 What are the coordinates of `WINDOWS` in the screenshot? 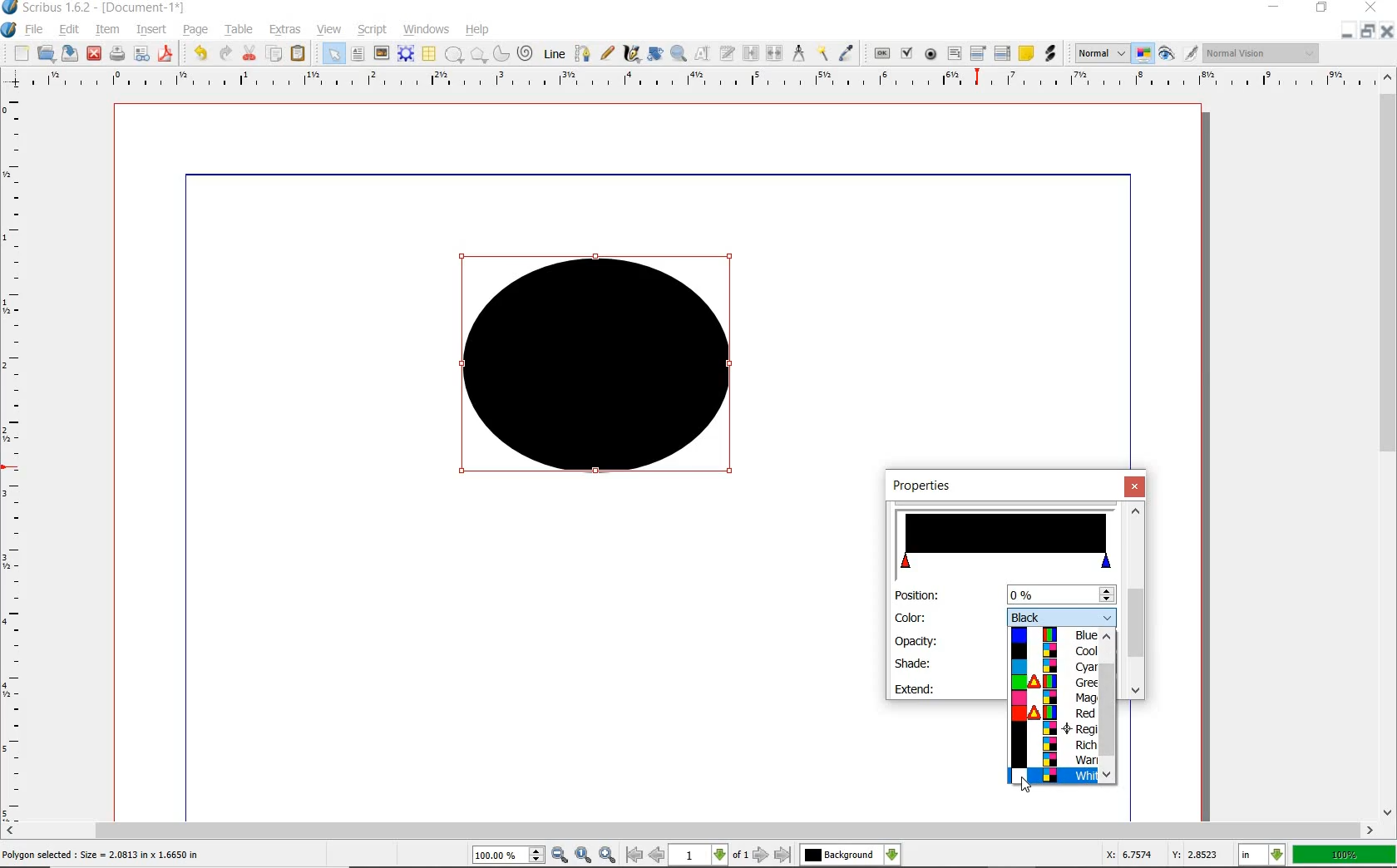 It's located at (427, 30).